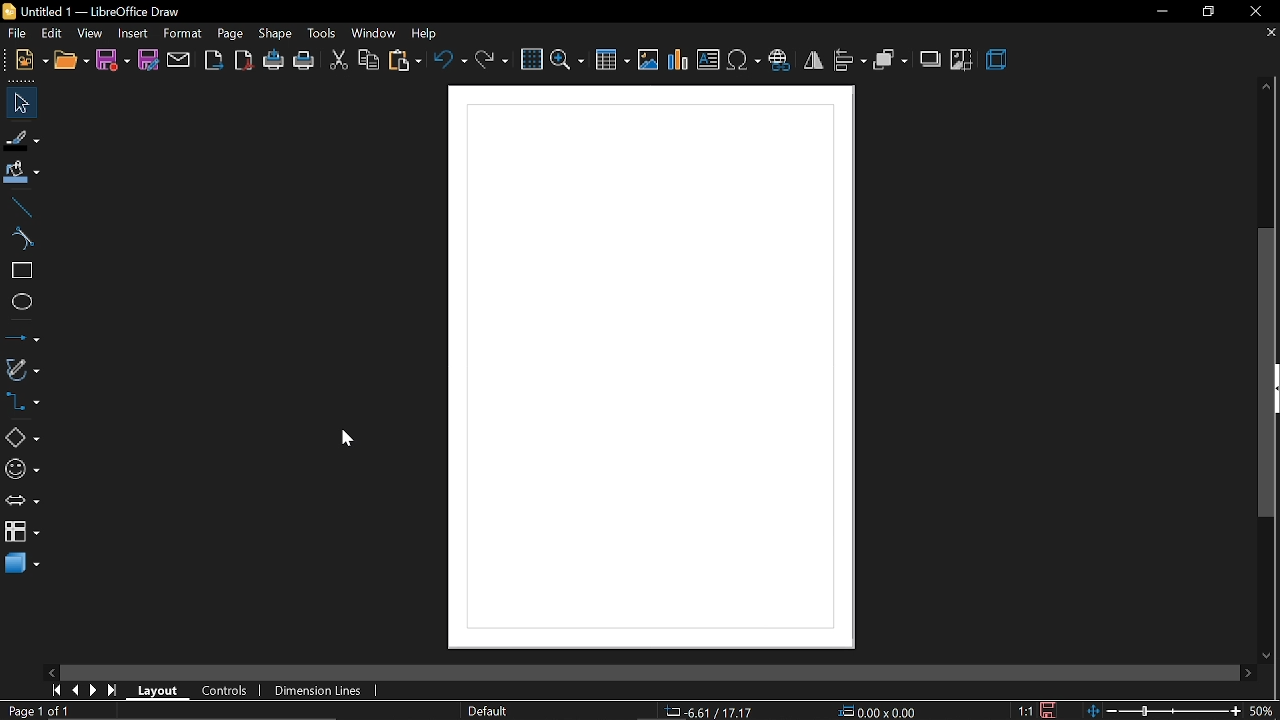  I want to click on insert symbol, so click(744, 60).